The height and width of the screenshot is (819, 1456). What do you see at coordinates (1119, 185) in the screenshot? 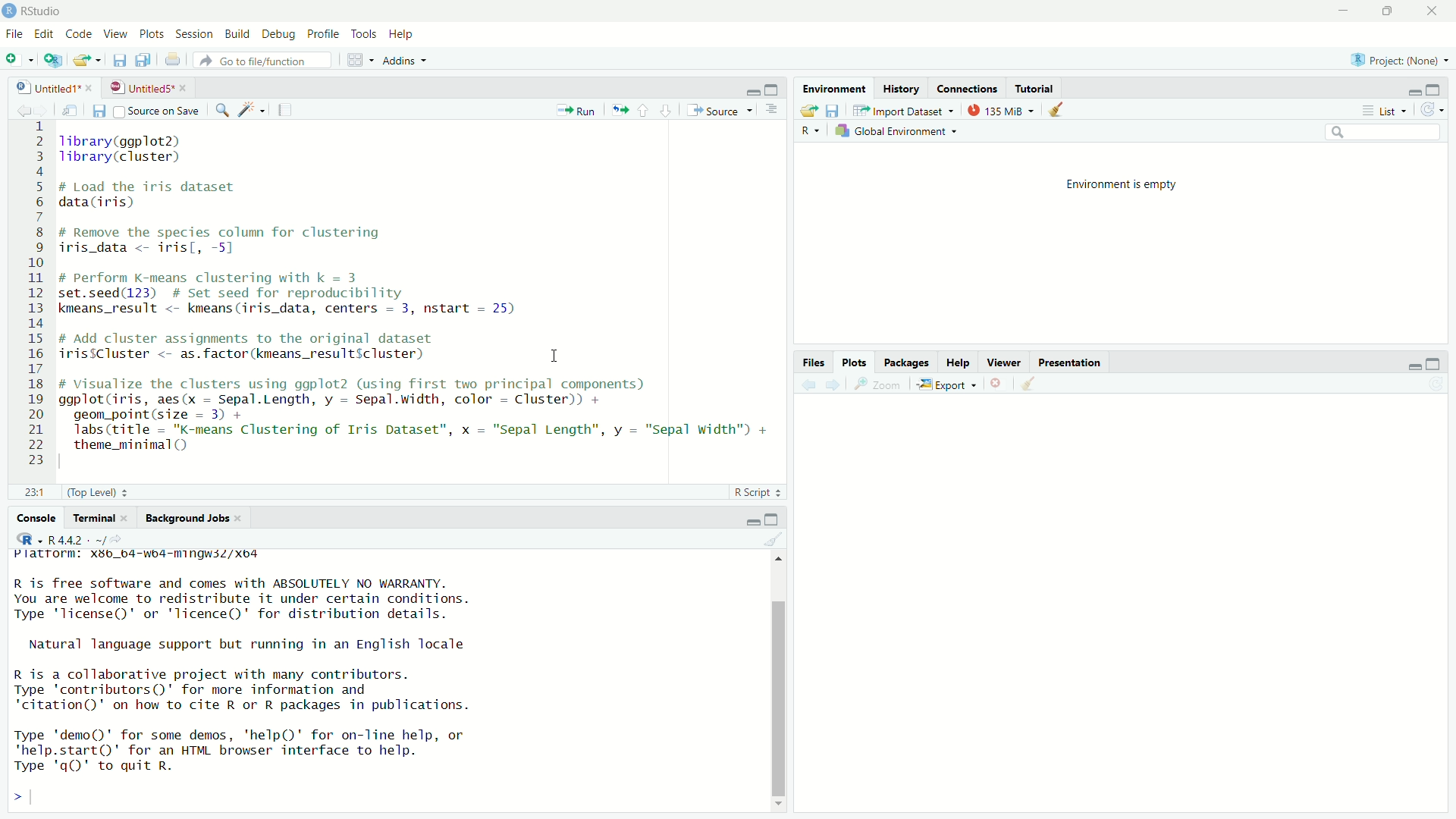
I see `Environment is empty` at bounding box center [1119, 185].